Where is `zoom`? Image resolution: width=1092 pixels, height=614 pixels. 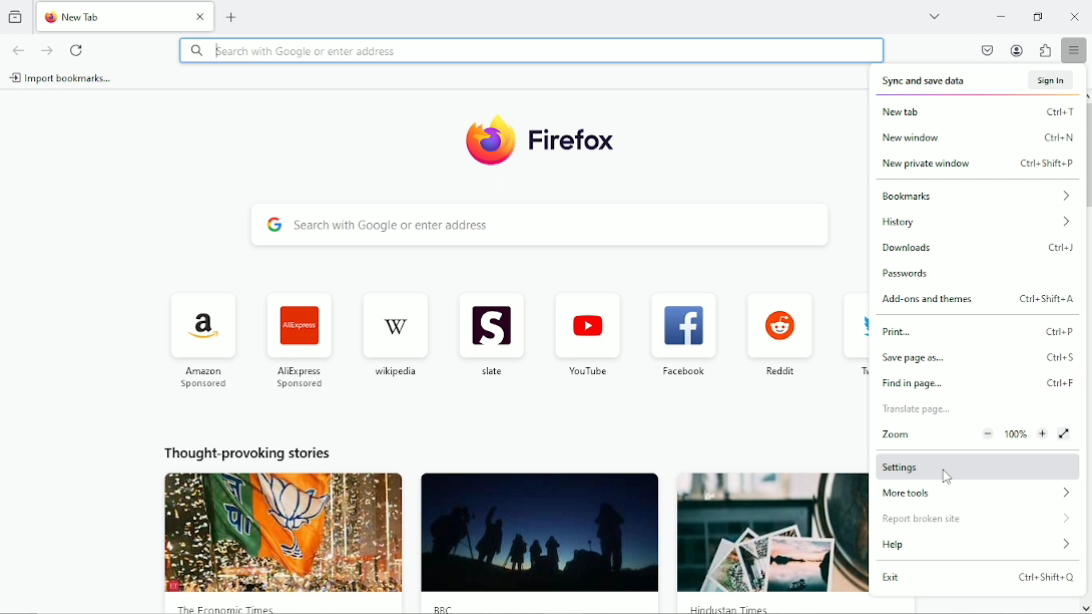 zoom is located at coordinates (960, 434).